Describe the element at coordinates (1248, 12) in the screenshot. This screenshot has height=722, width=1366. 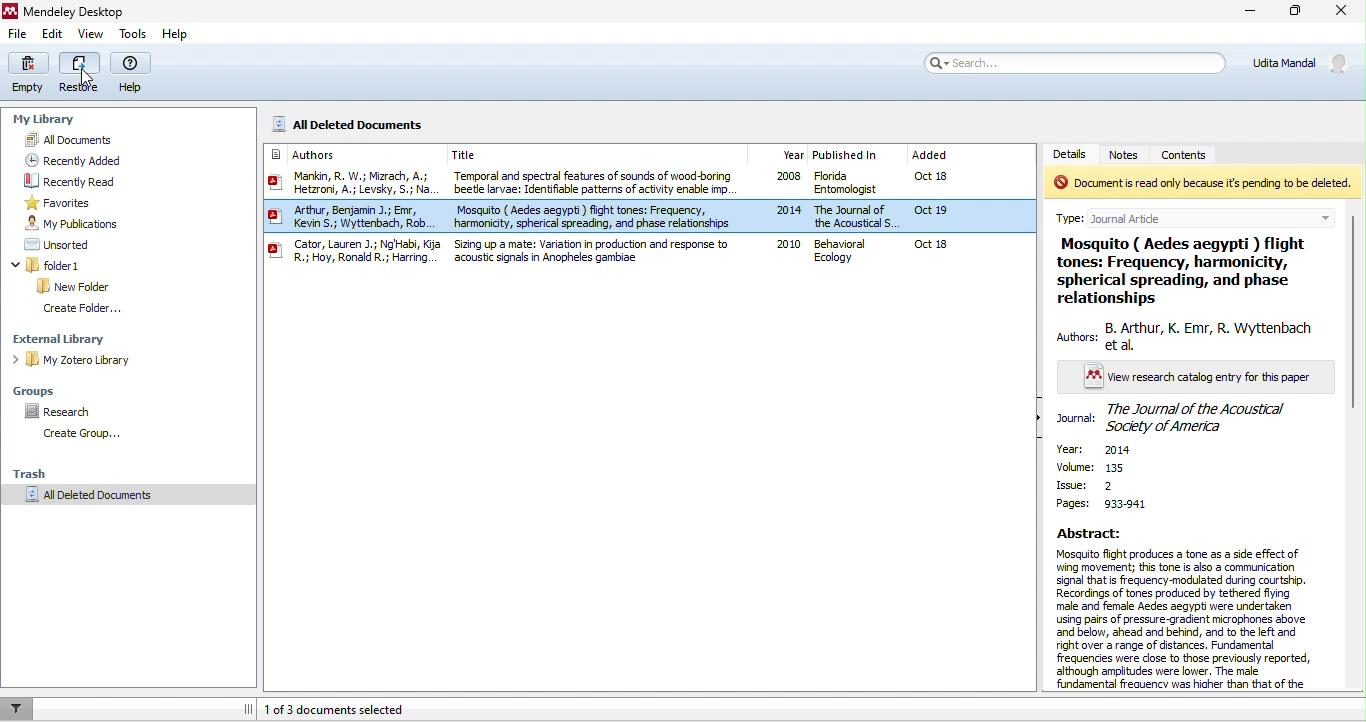
I see `minimize` at that location.